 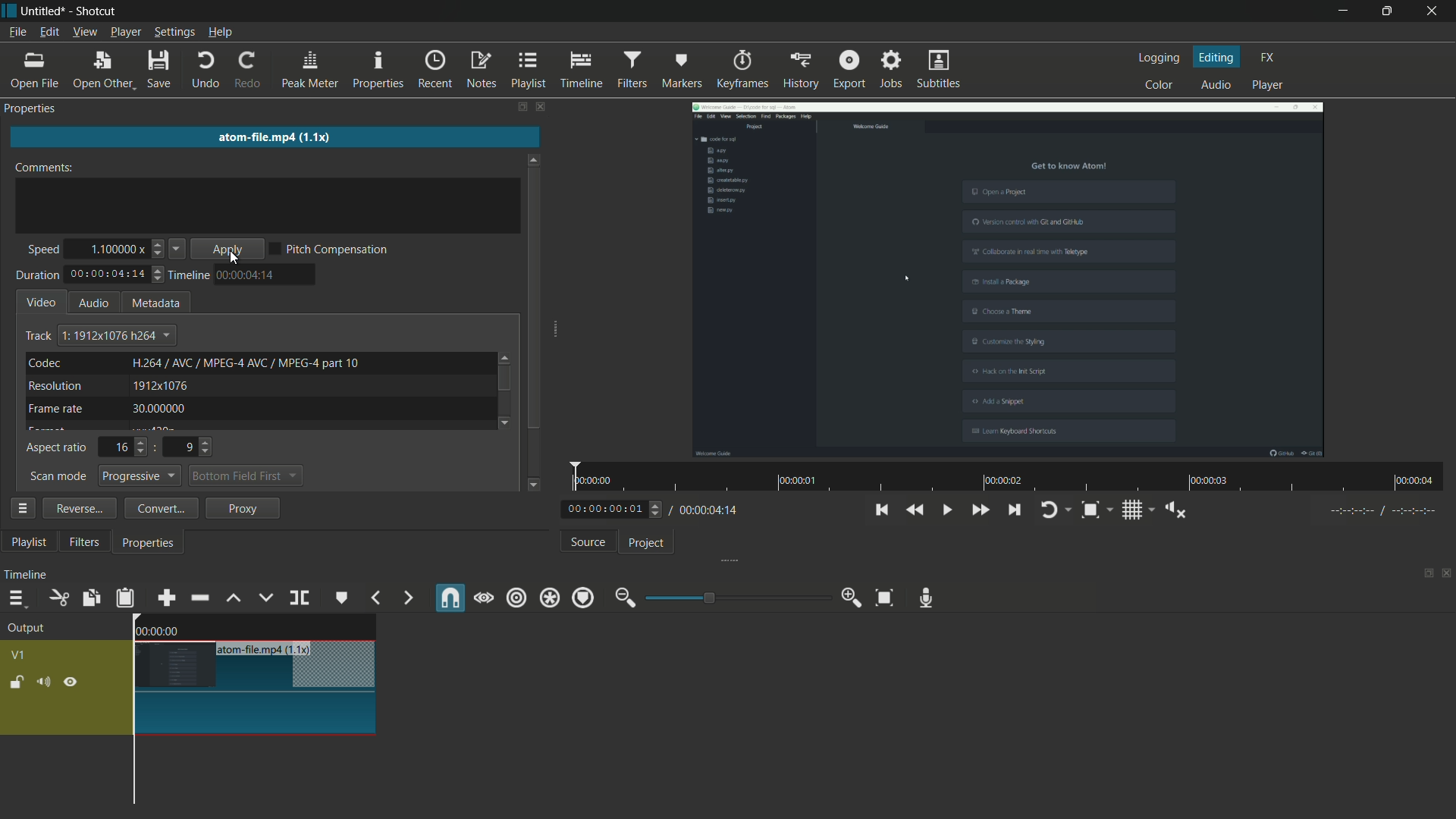 What do you see at coordinates (40, 250) in the screenshot?
I see `speed` at bounding box center [40, 250].